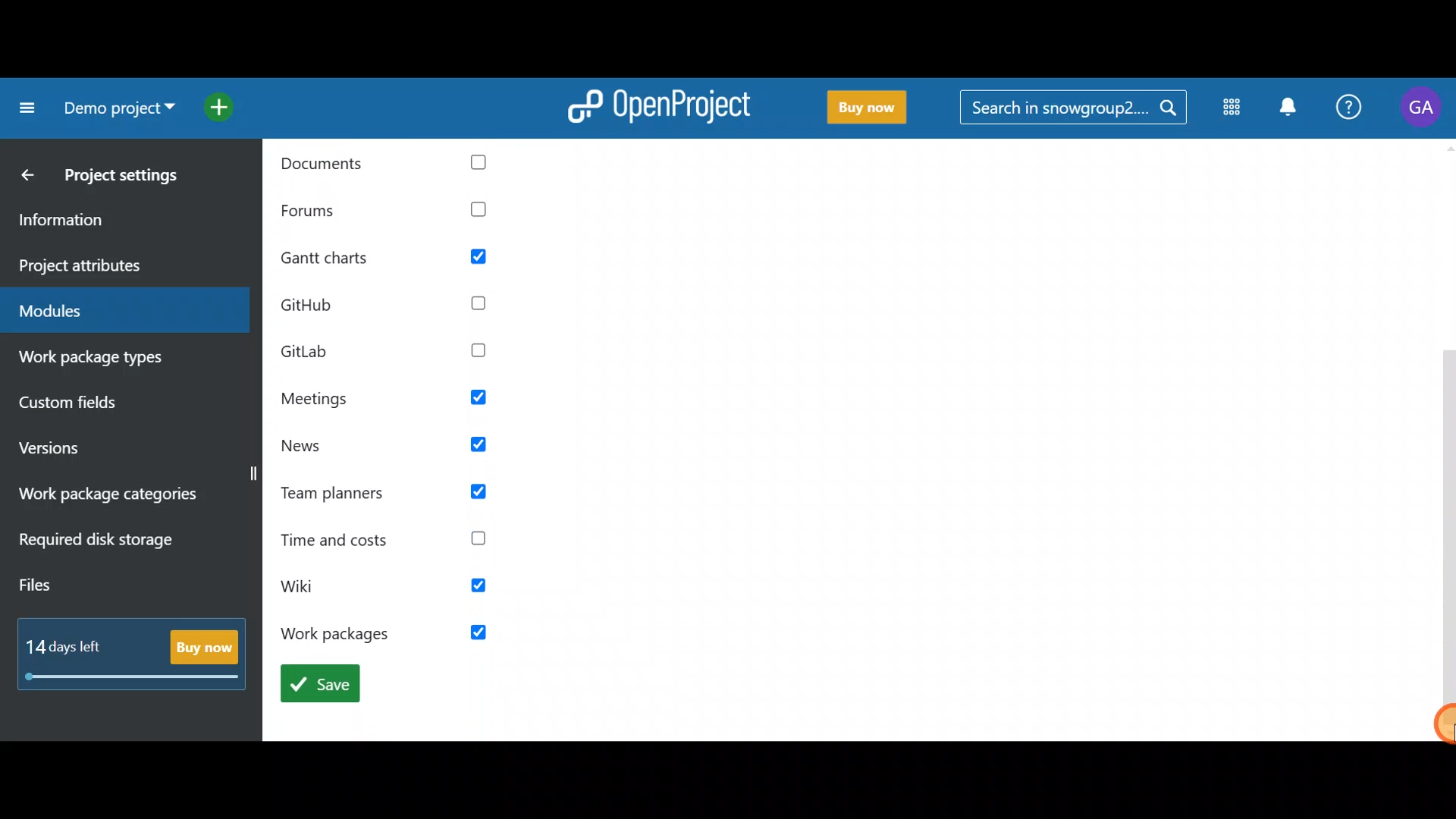 The width and height of the screenshot is (1456, 819). I want to click on Project attributes, so click(120, 266).